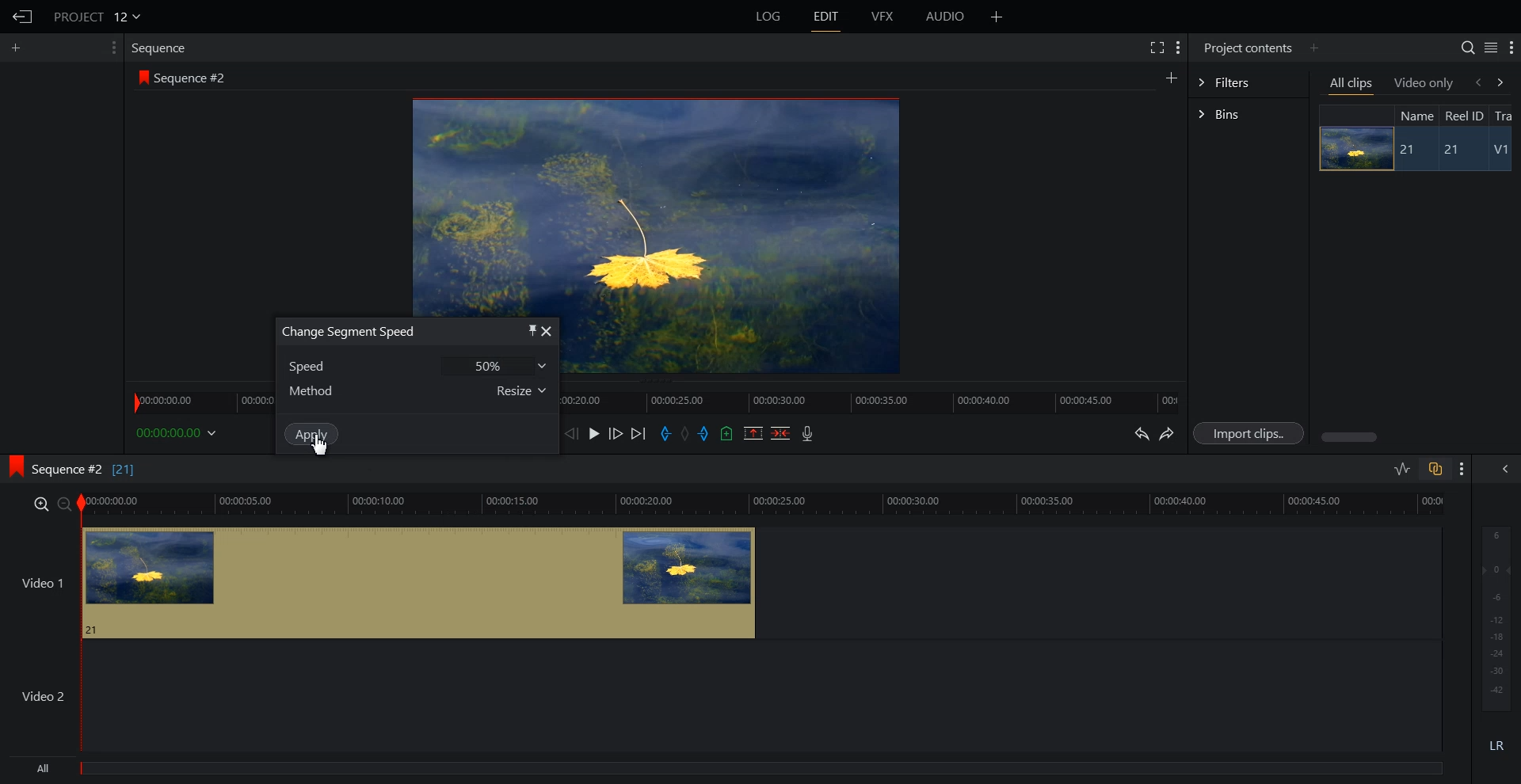 This screenshot has height=784, width=1521. What do you see at coordinates (1139, 434) in the screenshot?
I see `Undo` at bounding box center [1139, 434].